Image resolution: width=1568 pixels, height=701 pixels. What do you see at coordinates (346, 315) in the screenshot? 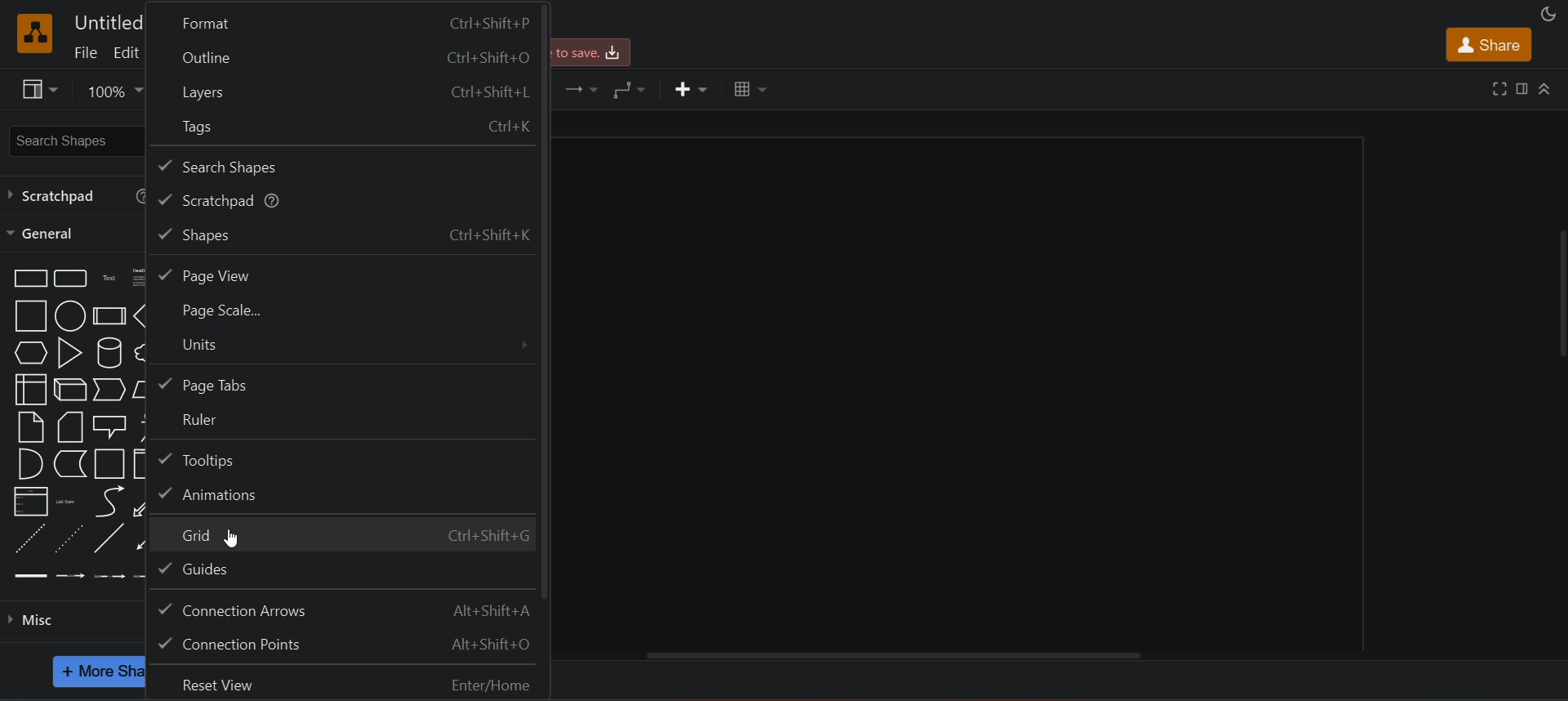
I see `page scale` at bounding box center [346, 315].